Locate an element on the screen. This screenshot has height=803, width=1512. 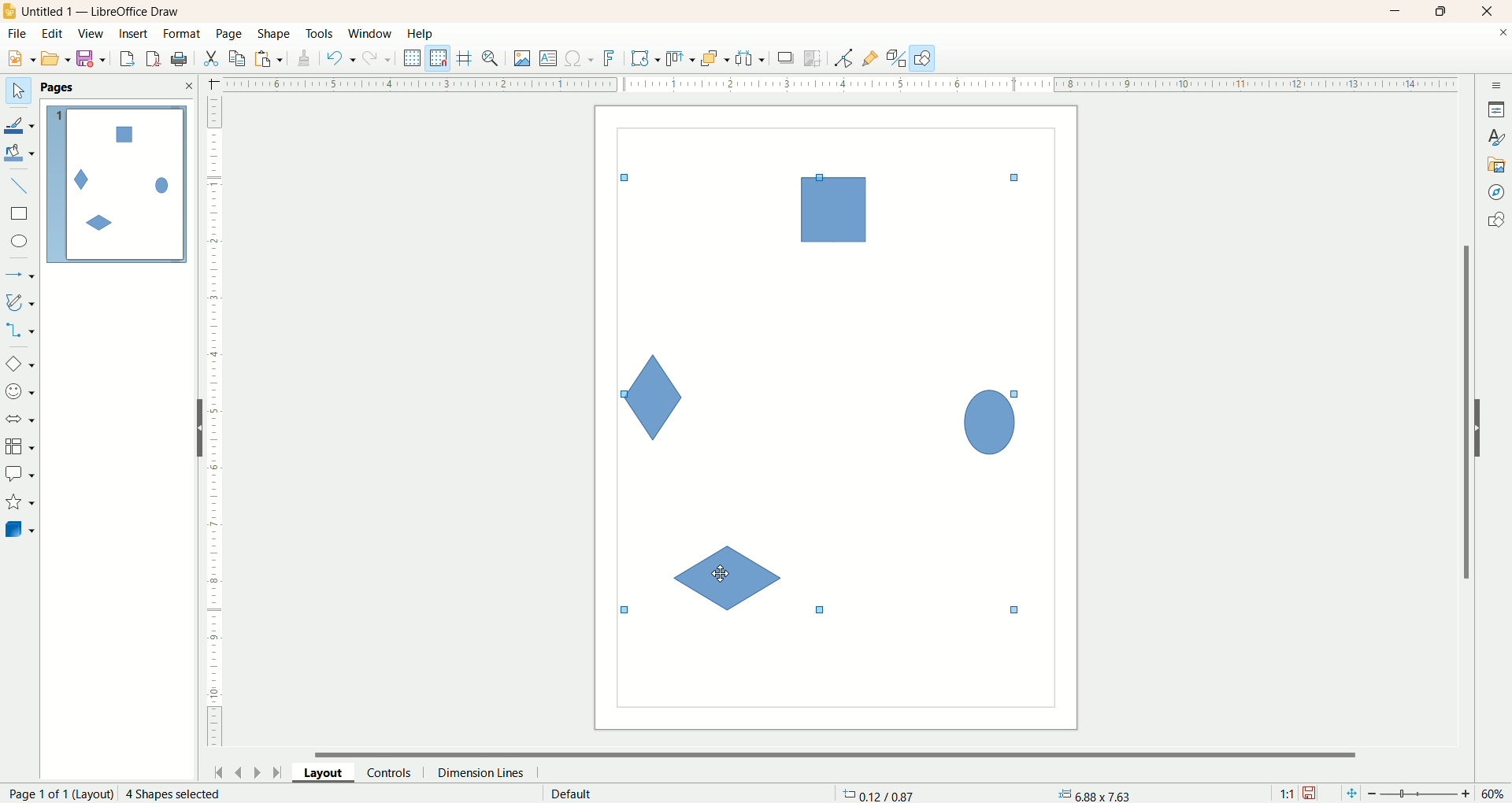
3dD object is located at coordinates (19, 529).